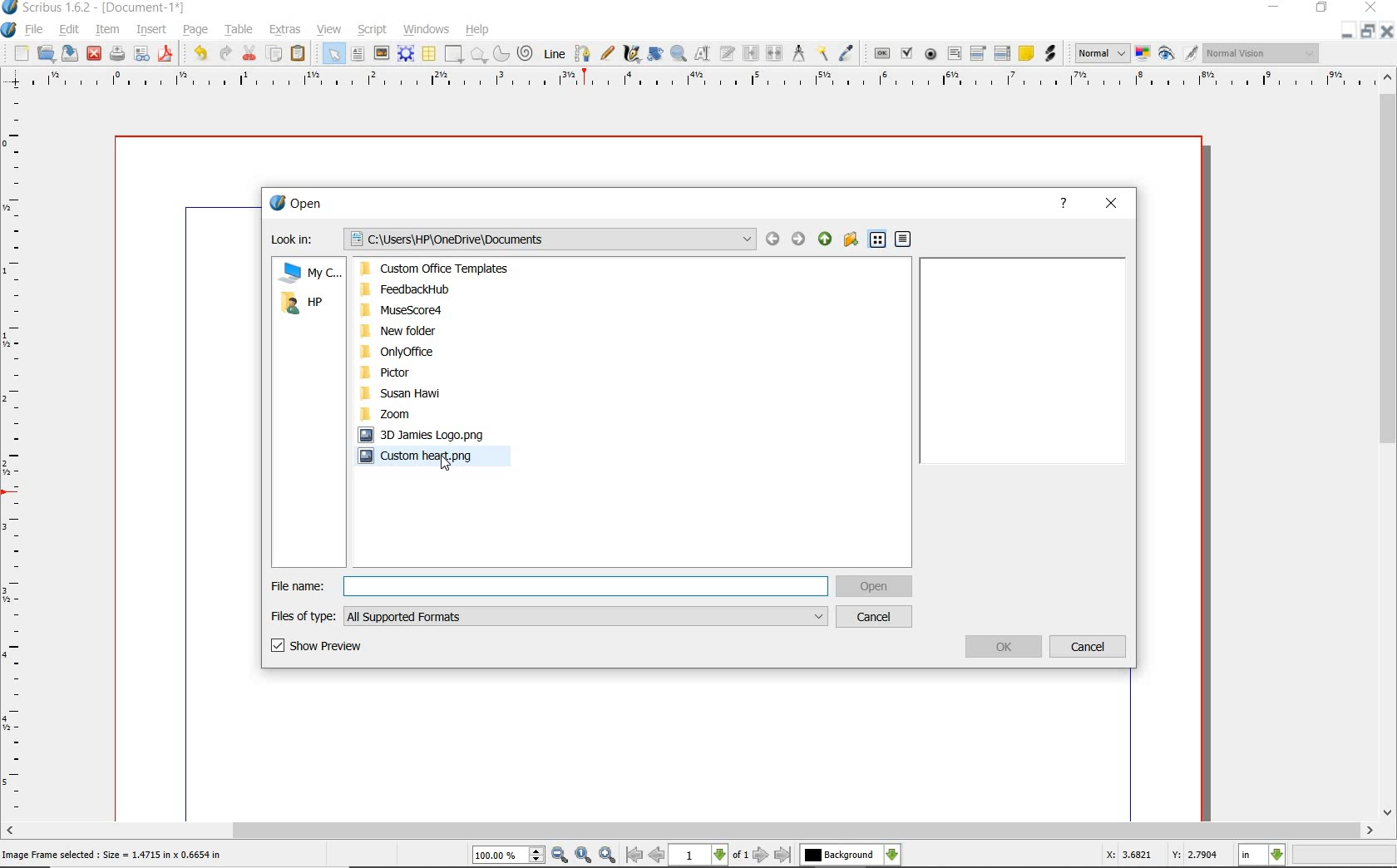  What do you see at coordinates (560, 856) in the screenshot?
I see `zoom out` at bounding box center [560, 856].